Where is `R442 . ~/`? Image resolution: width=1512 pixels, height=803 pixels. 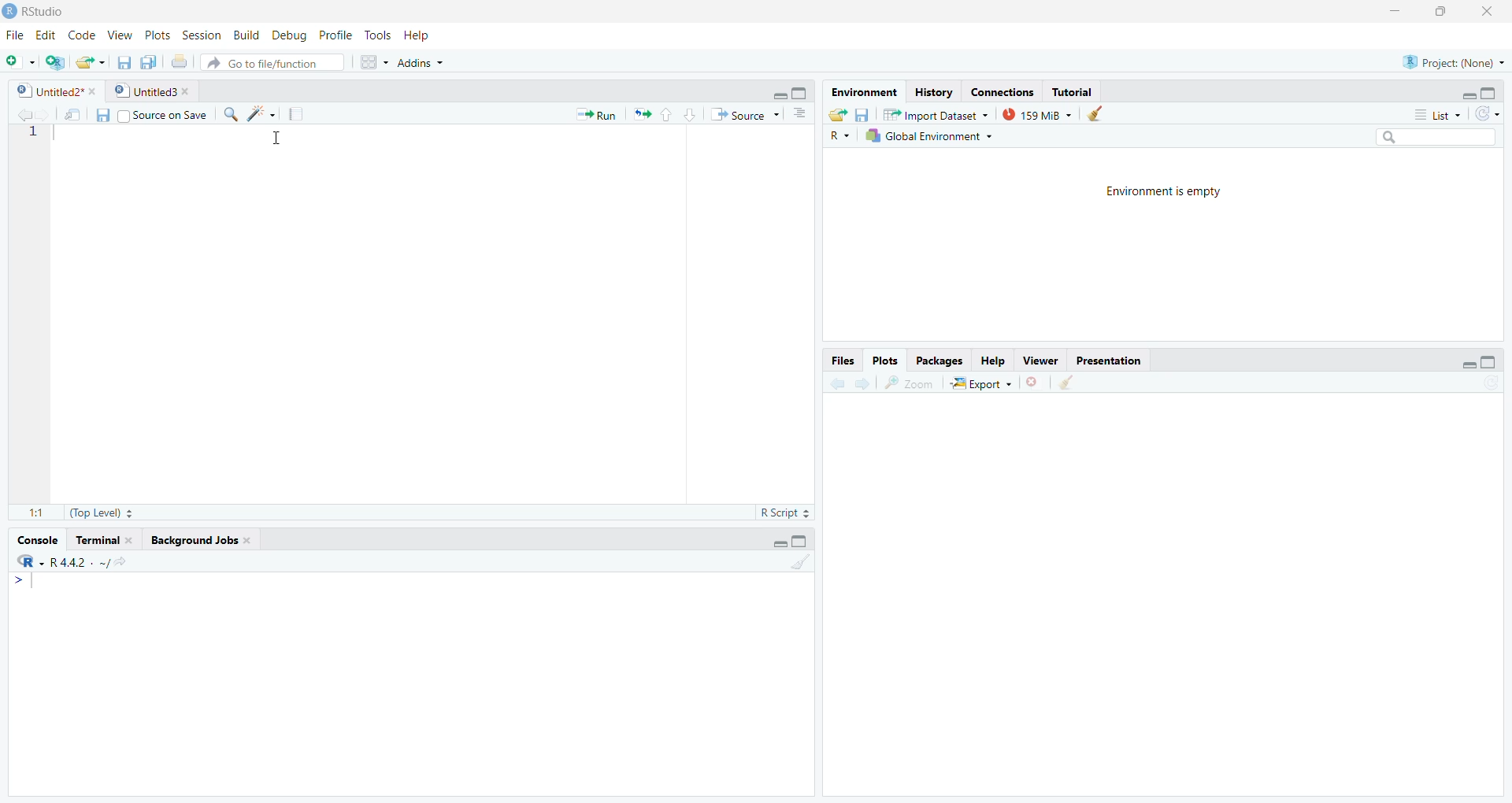
R442 . ~/ is located at coordinates (80, 562).